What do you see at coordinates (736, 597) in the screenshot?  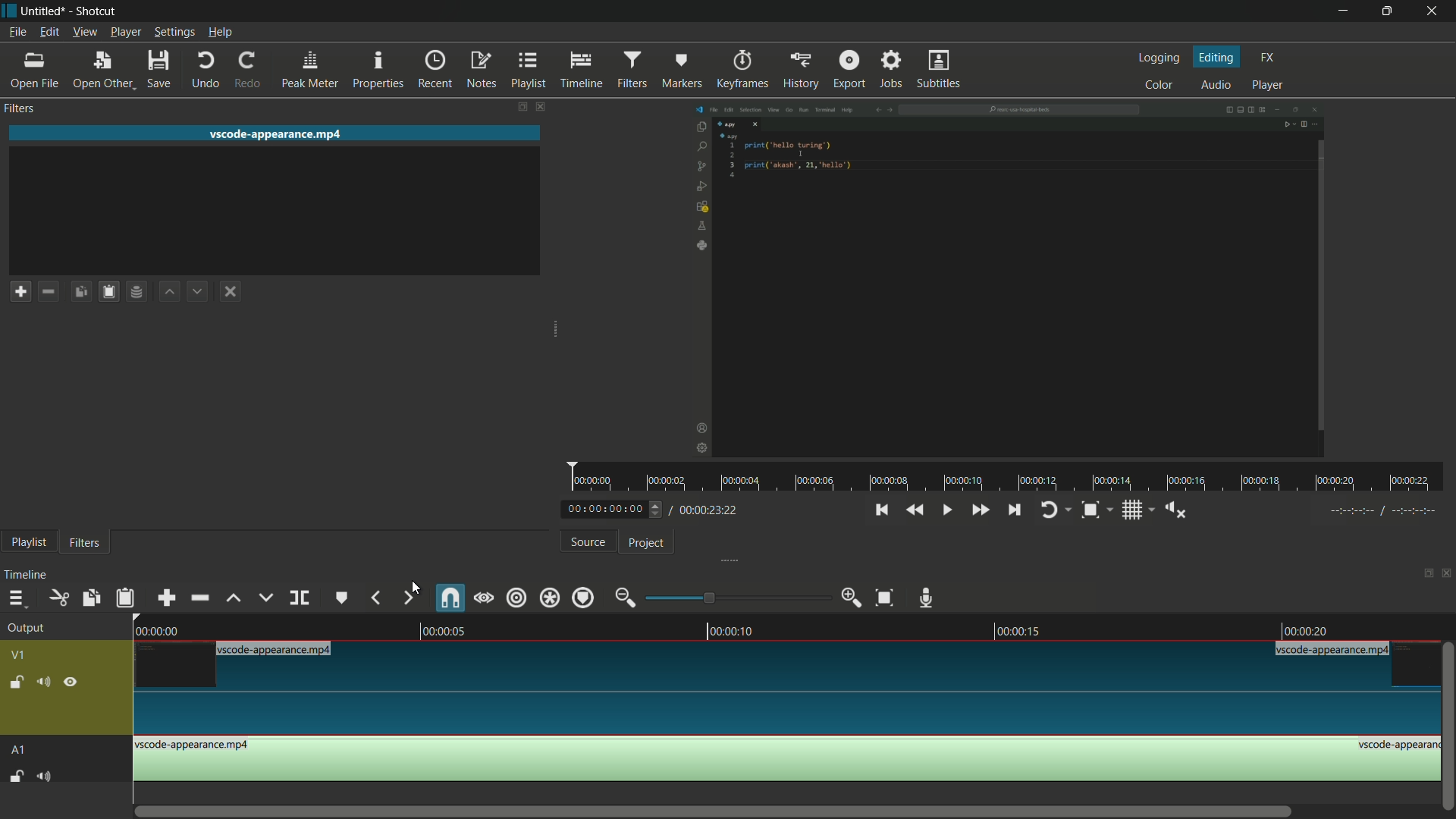 I see `adjustment bar` at bounding box center [736, 597].